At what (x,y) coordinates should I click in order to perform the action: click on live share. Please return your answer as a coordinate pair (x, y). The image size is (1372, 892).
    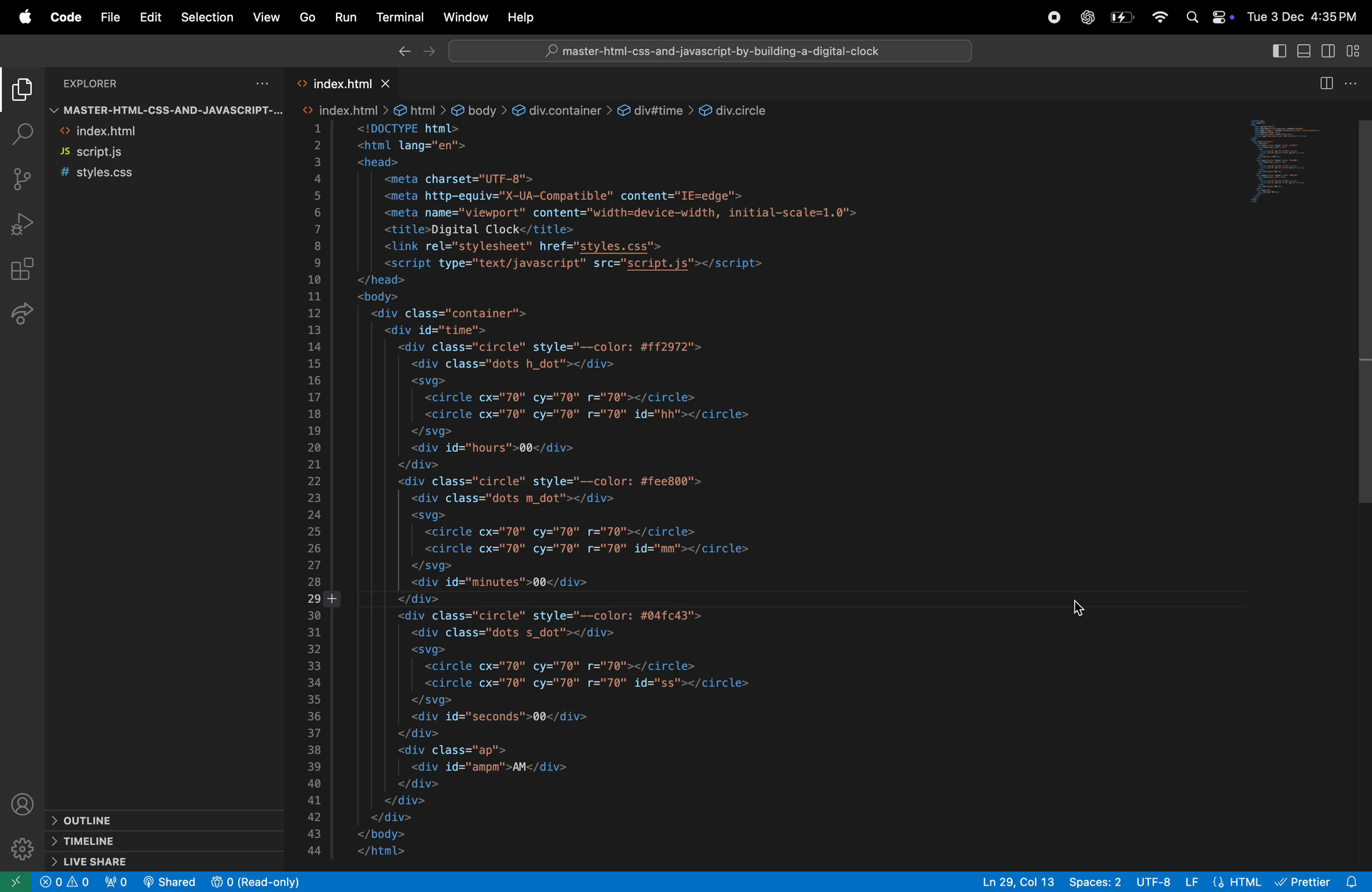
    Looking at the image, I should click on (171, 881).